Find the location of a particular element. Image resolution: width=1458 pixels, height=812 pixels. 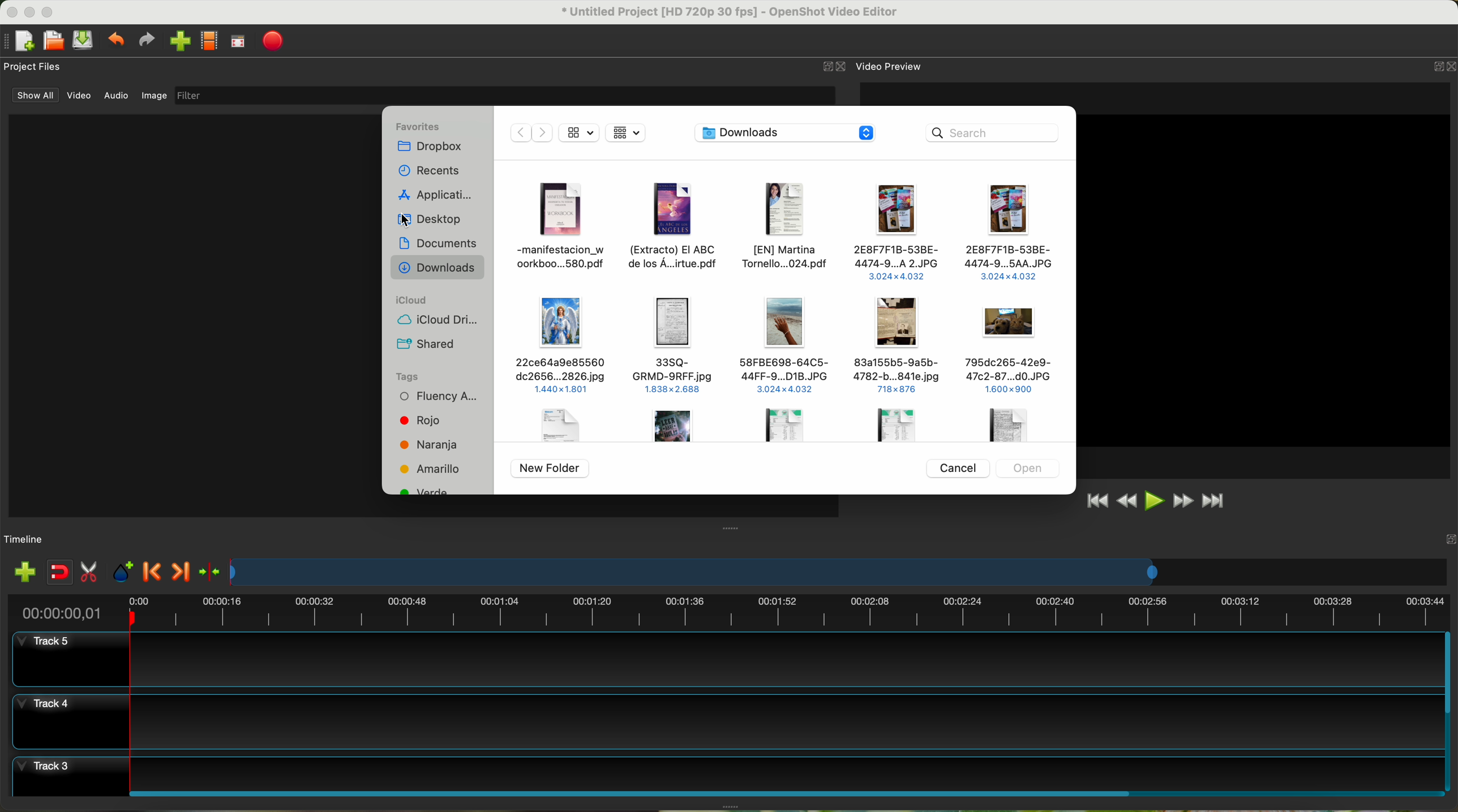

track 5 is located at coordinates (730, 660).